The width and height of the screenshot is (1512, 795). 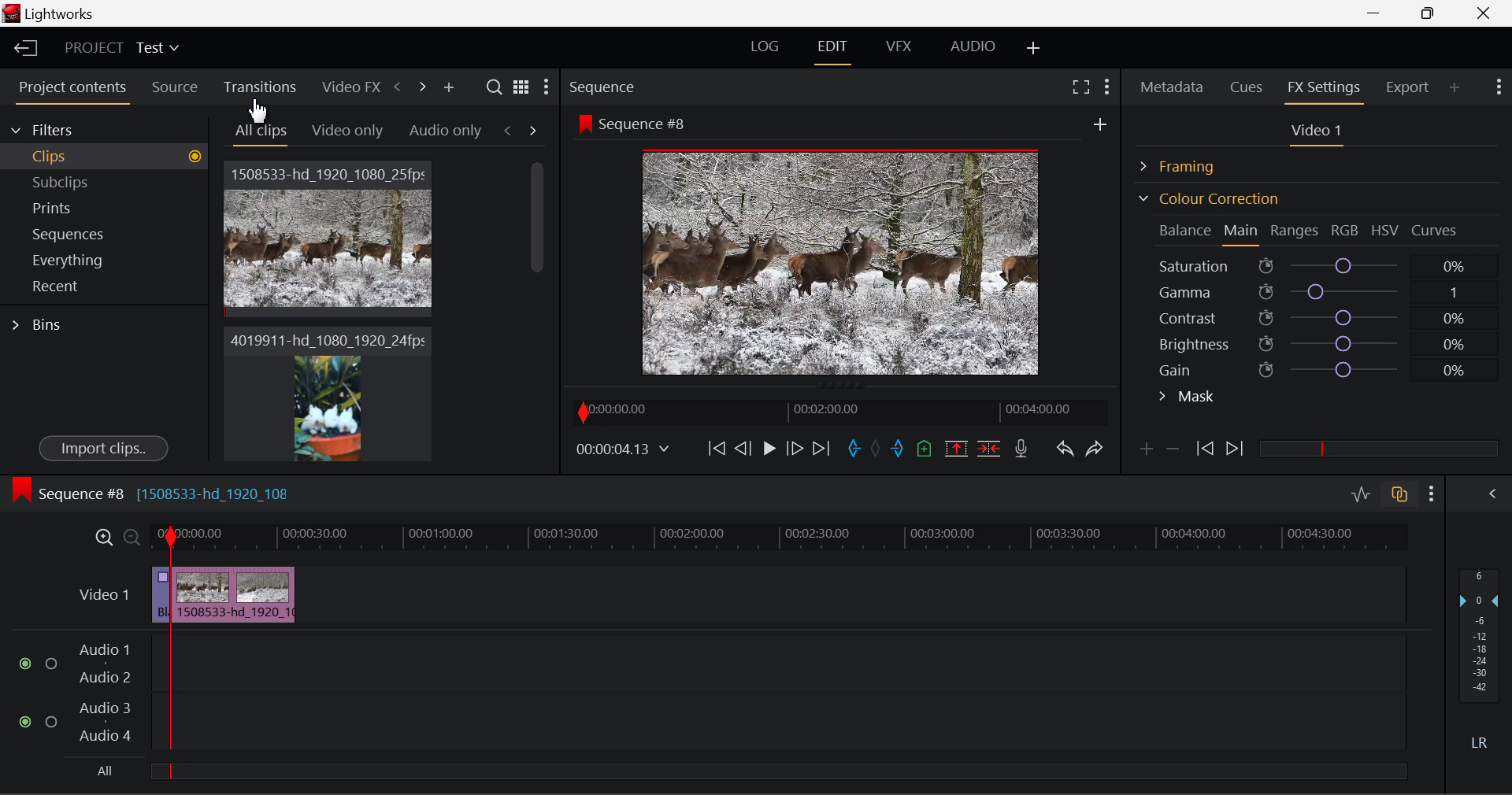 I want to click on Brightness, so click(x=1318, y=341).